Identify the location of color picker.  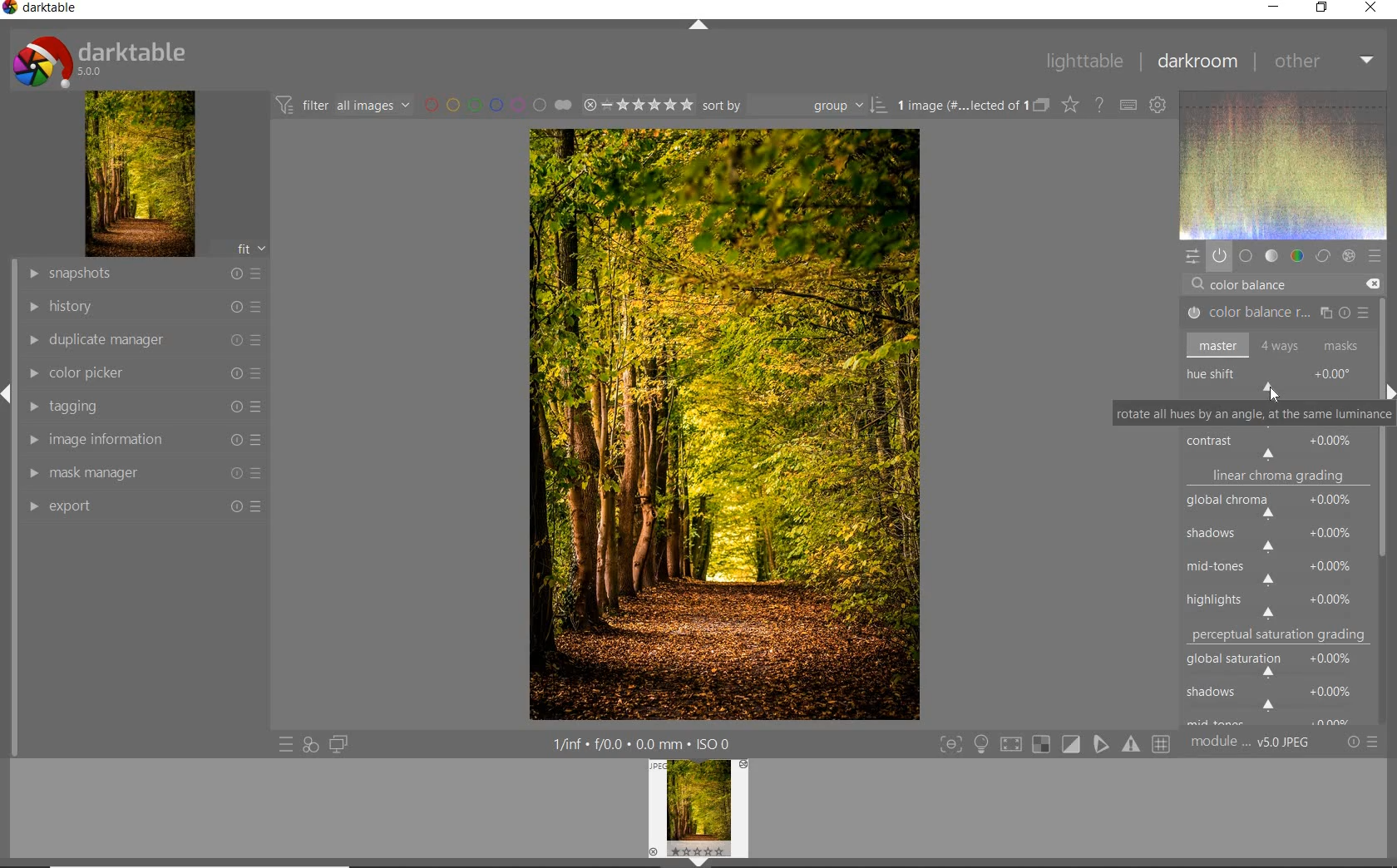
(144, 374).